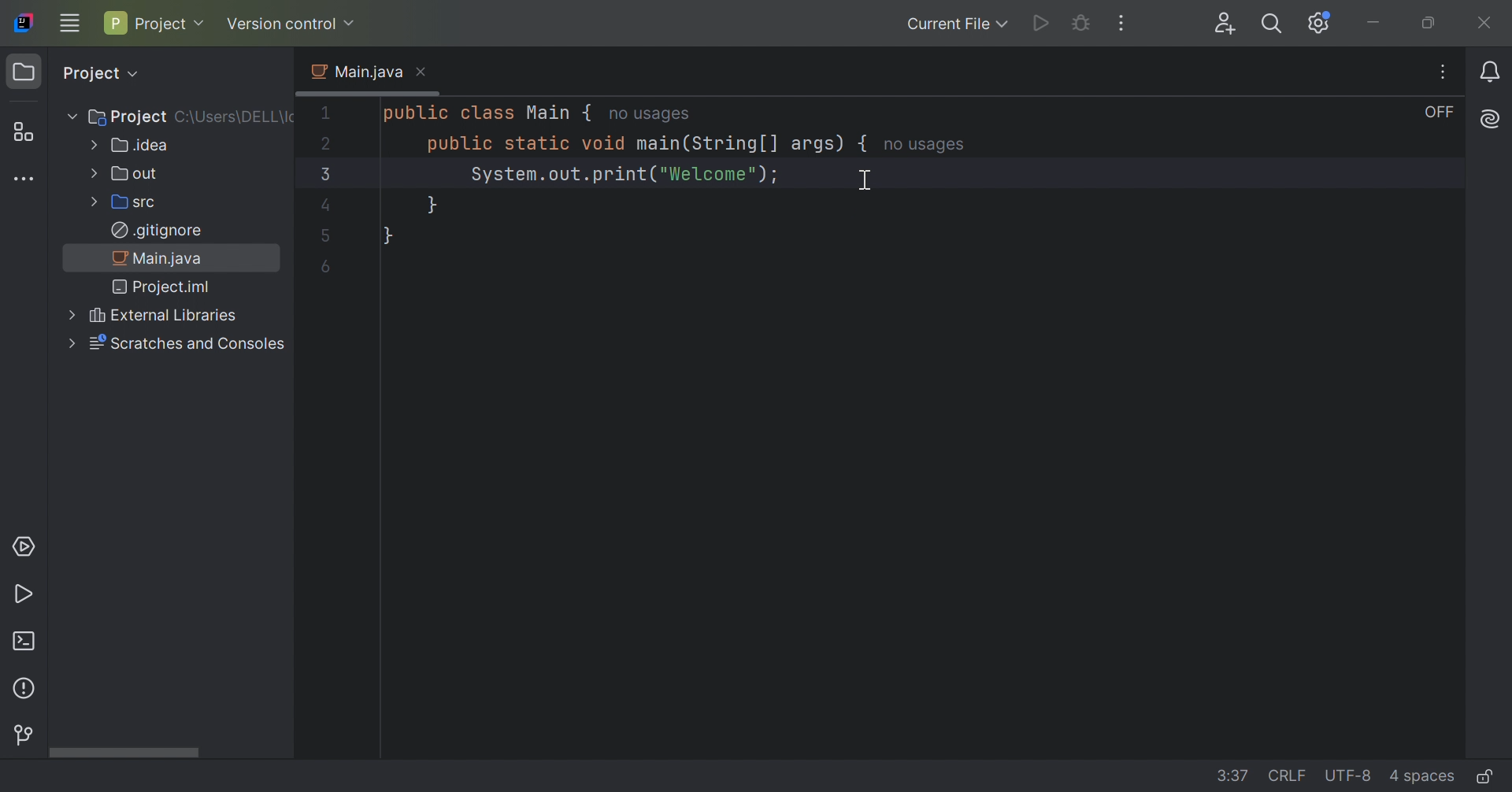  What do you see at coordinates (954, 25) in the screenshot?
I see `Current file` at bounding box center [954, 25].